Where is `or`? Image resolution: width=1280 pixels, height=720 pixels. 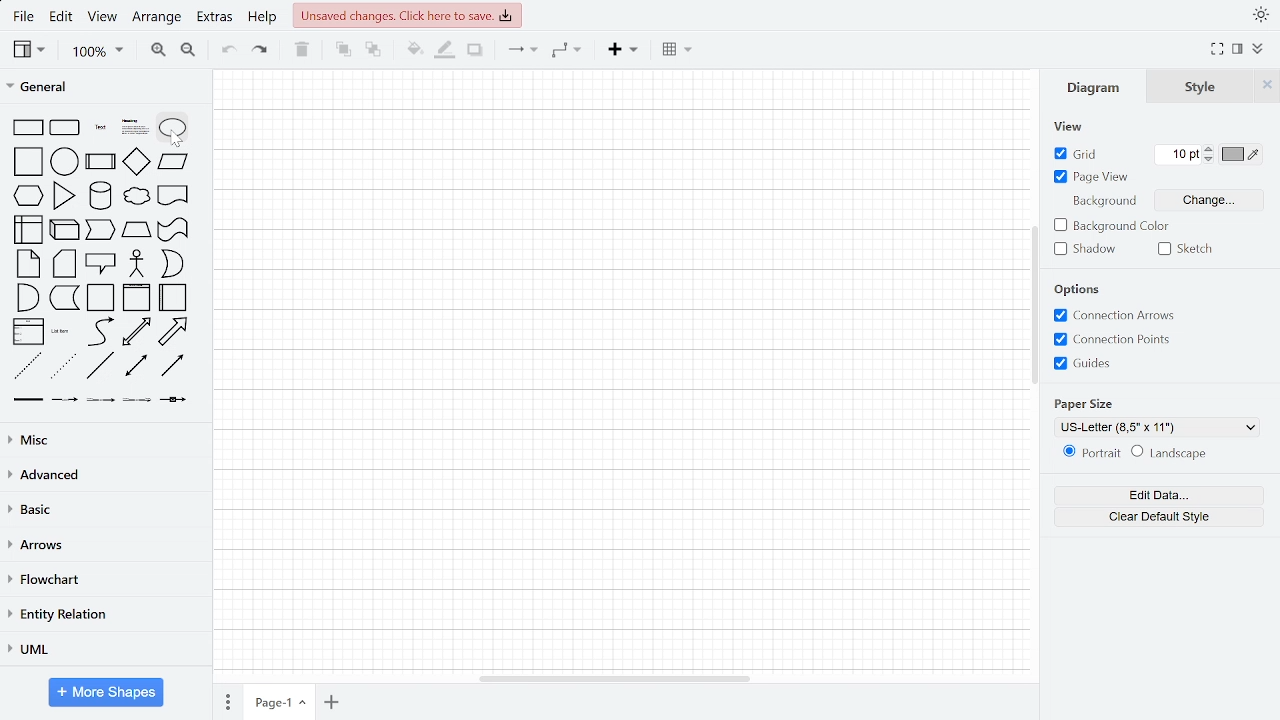
or is located at coordinates (171, 264).